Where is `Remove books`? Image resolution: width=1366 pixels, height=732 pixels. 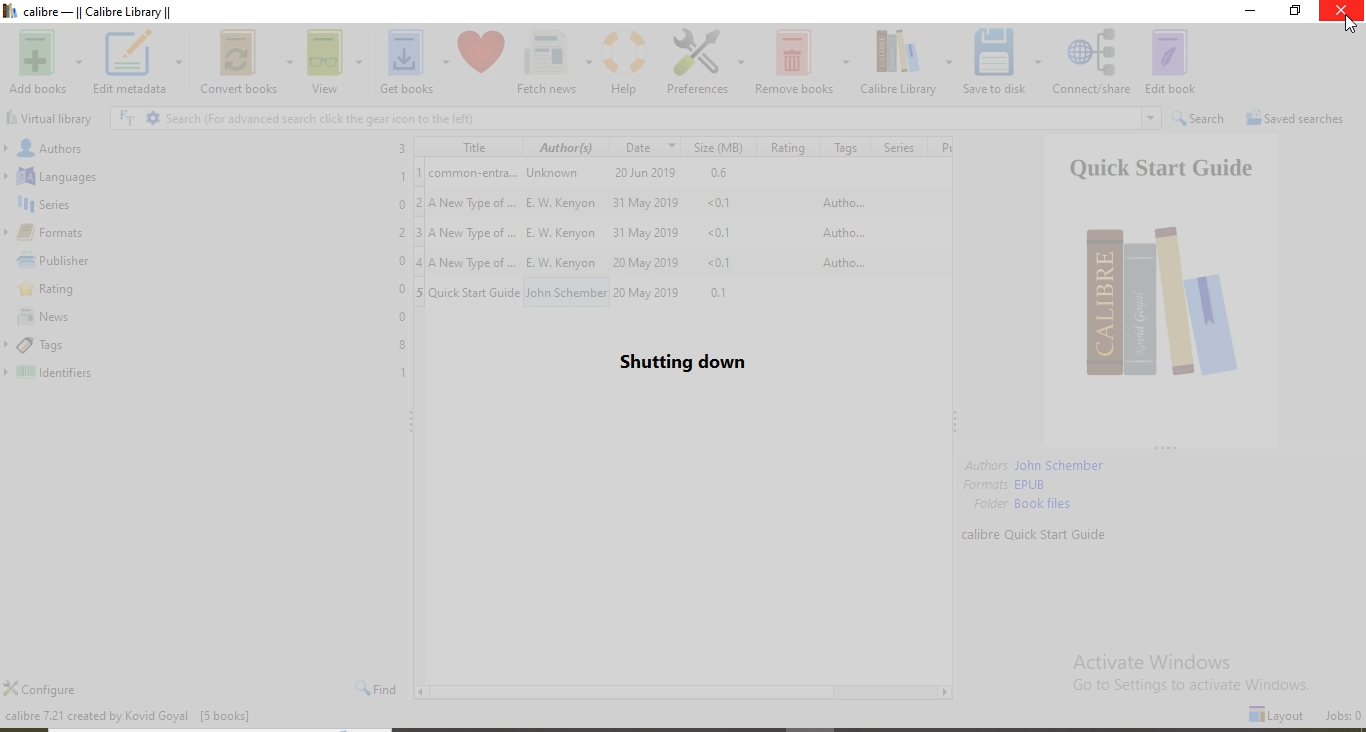 Remove books is located at coordinates (804, 62).